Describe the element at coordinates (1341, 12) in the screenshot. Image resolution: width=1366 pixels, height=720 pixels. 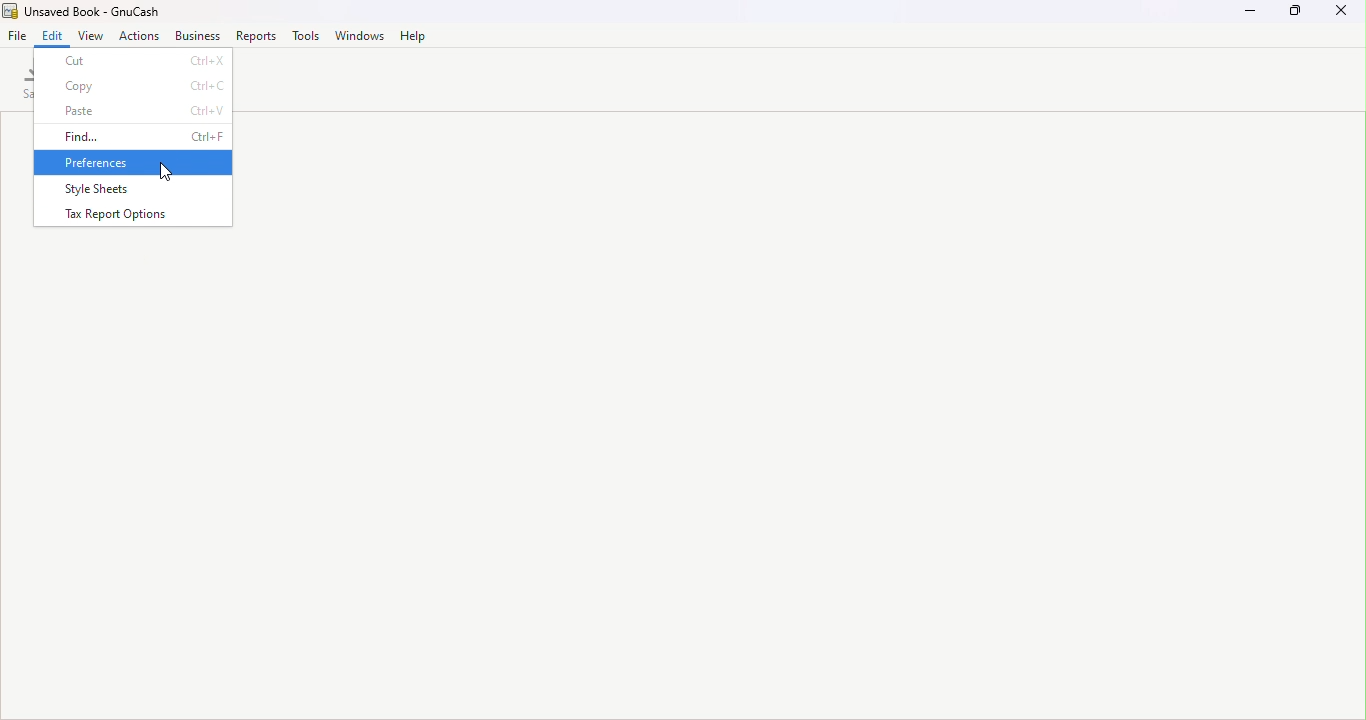
I see `Close` at that location.